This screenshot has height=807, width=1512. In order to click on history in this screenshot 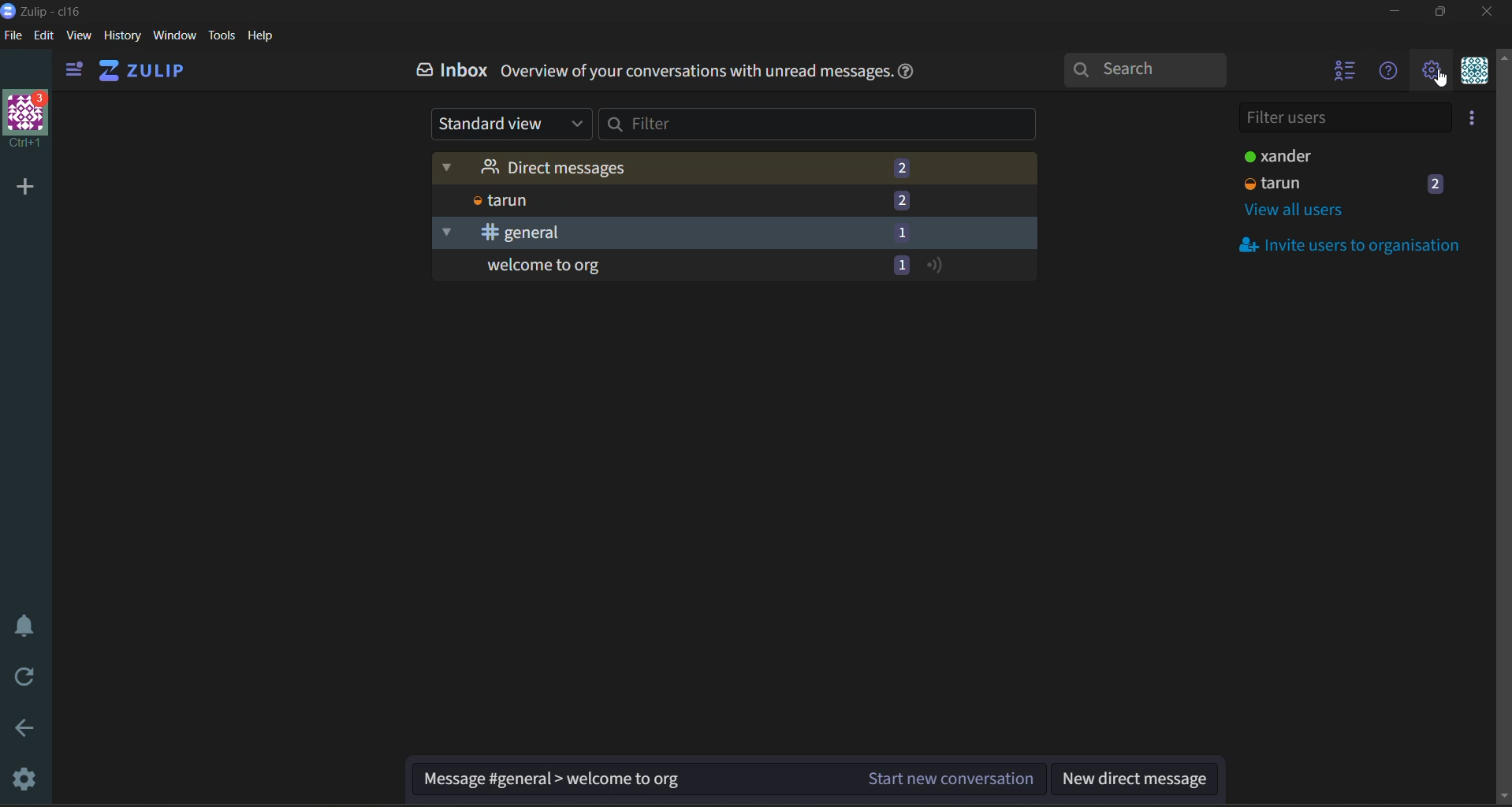, I will do `click(122, 35)`.